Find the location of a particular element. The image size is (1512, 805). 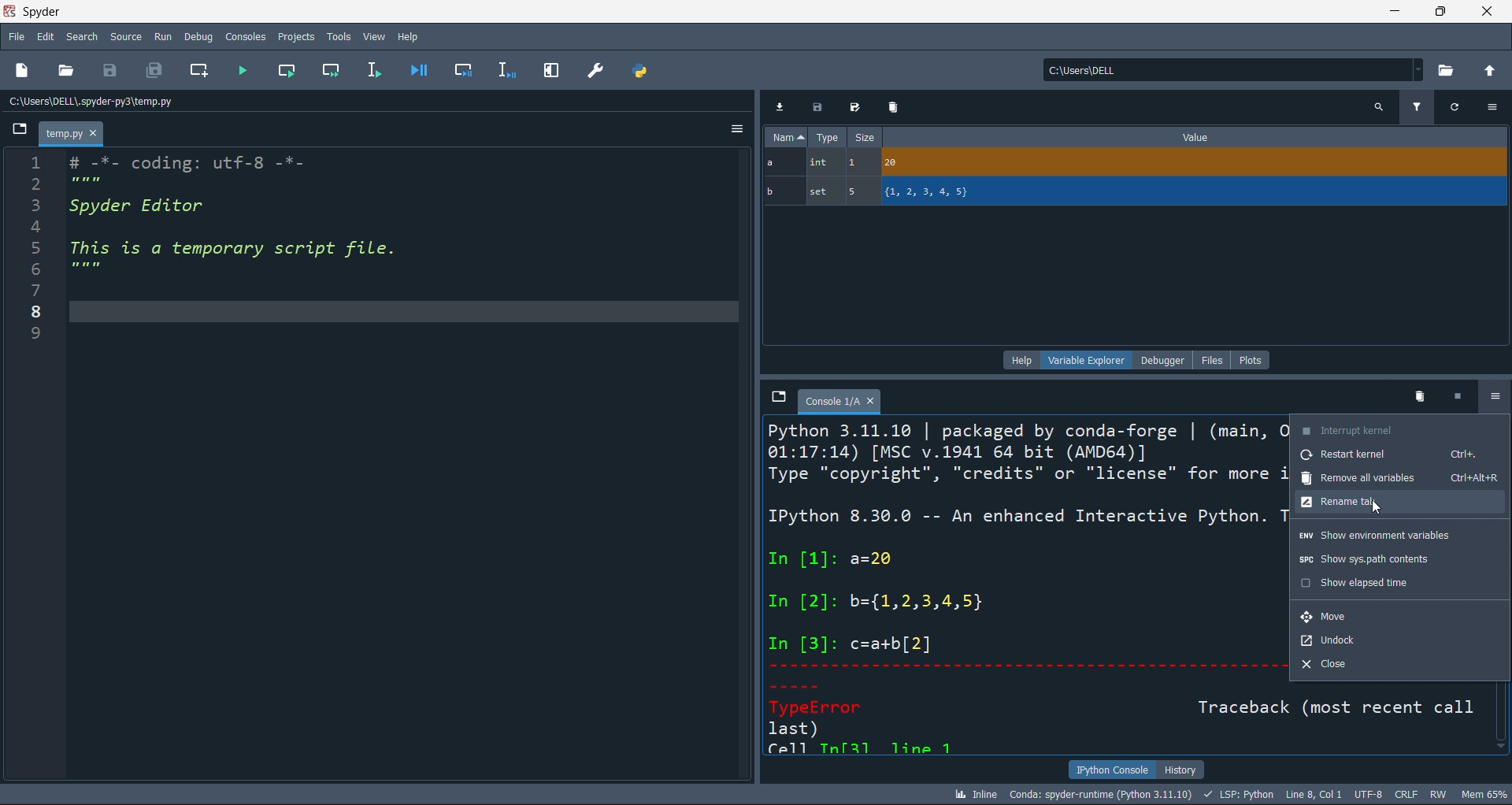

line number is located at coordinates (28, 469).